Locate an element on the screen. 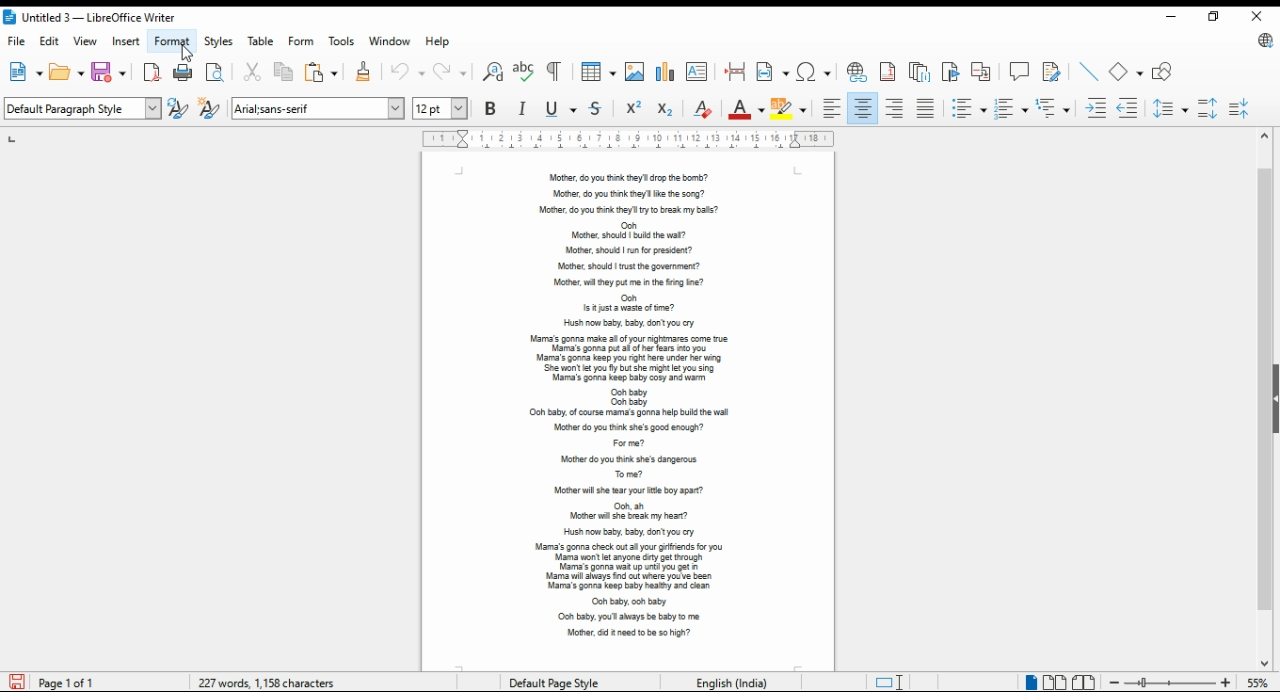 The width and height of the screenshot is (1280, 692). align left is located at coordinates (832, 108).